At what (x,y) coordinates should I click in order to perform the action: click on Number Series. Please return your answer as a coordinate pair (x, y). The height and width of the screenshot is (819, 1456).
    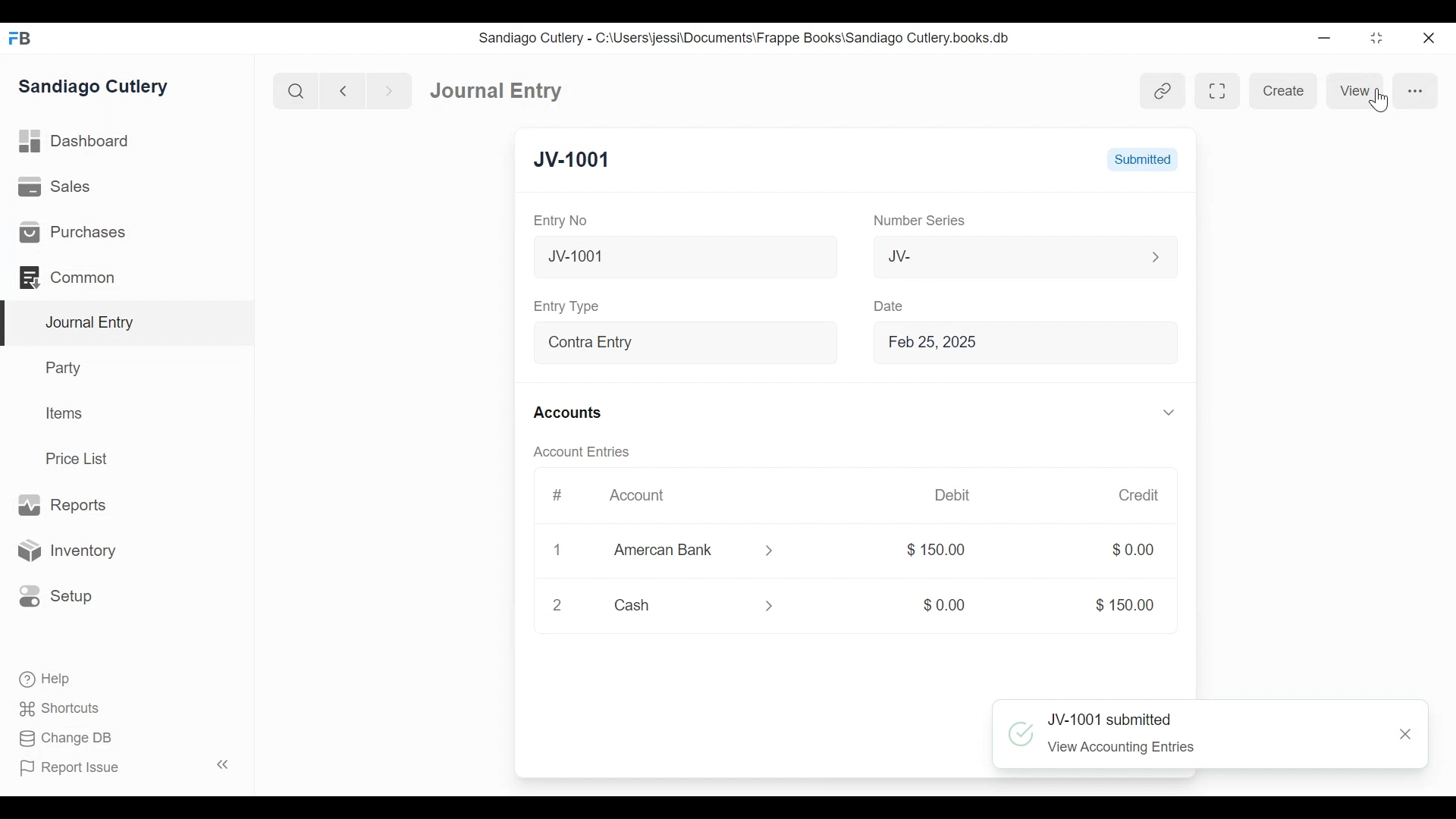
    Looking at the image, I should click on (917, 221).